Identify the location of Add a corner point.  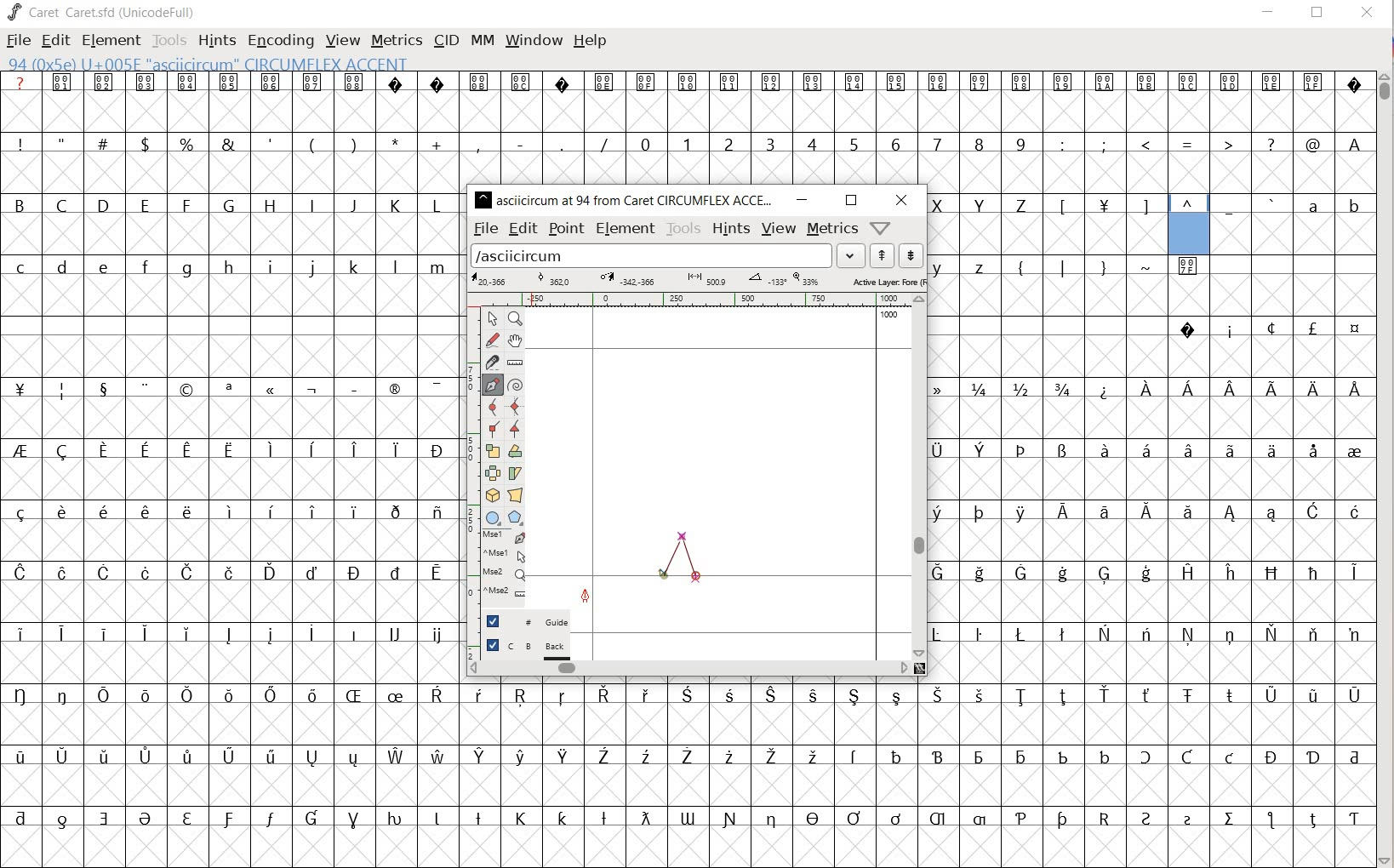
(516, 428).